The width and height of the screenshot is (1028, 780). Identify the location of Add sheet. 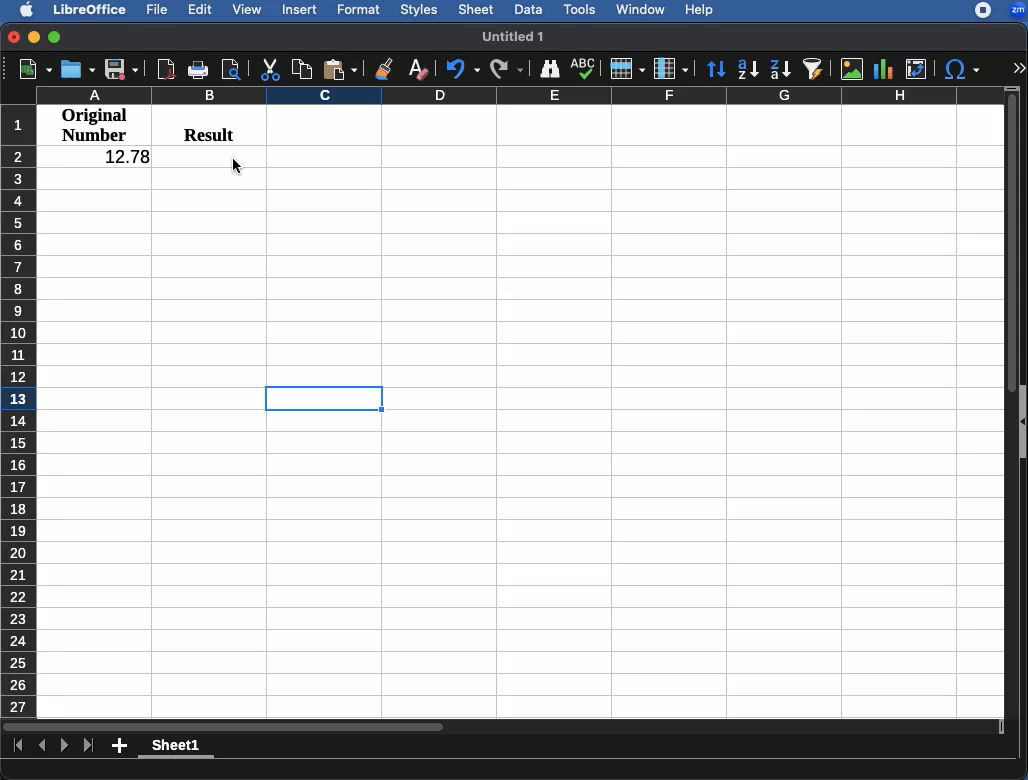
(119, 746).